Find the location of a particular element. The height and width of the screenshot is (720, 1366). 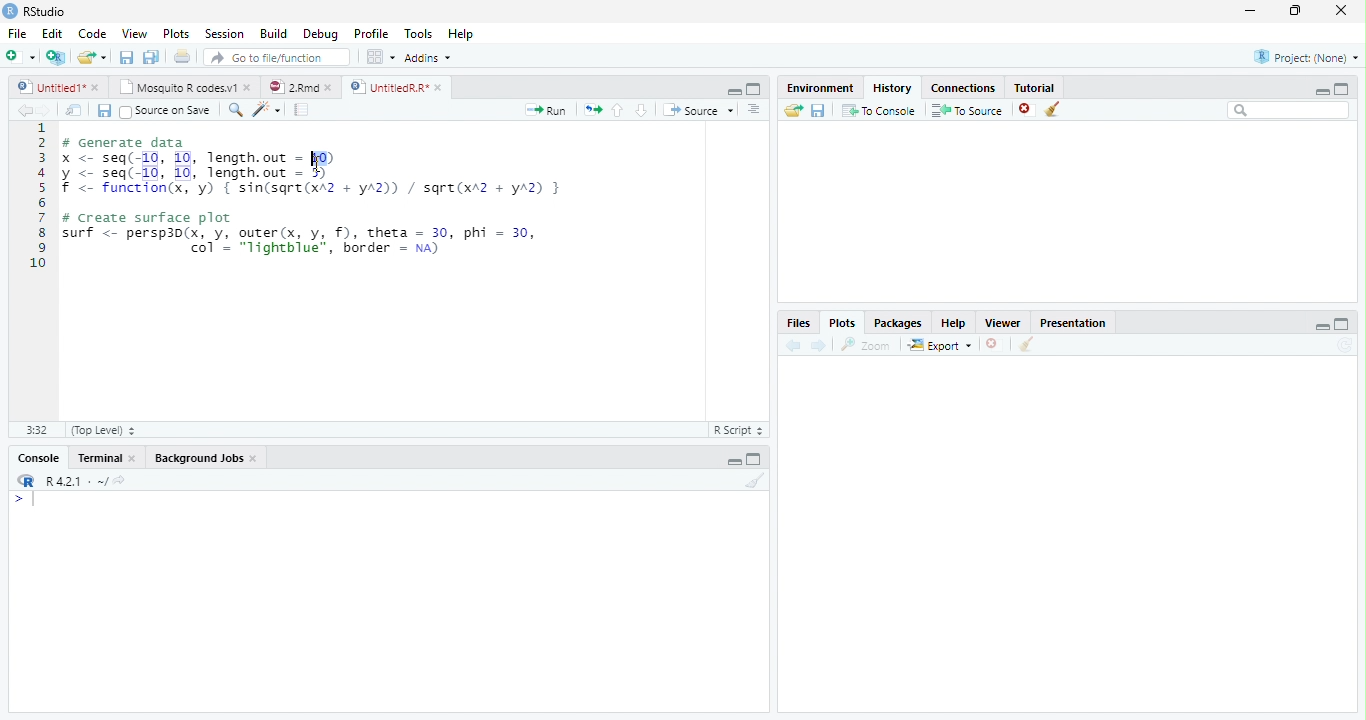

Go to previous section/chunk is located at coordinates (617, 110).